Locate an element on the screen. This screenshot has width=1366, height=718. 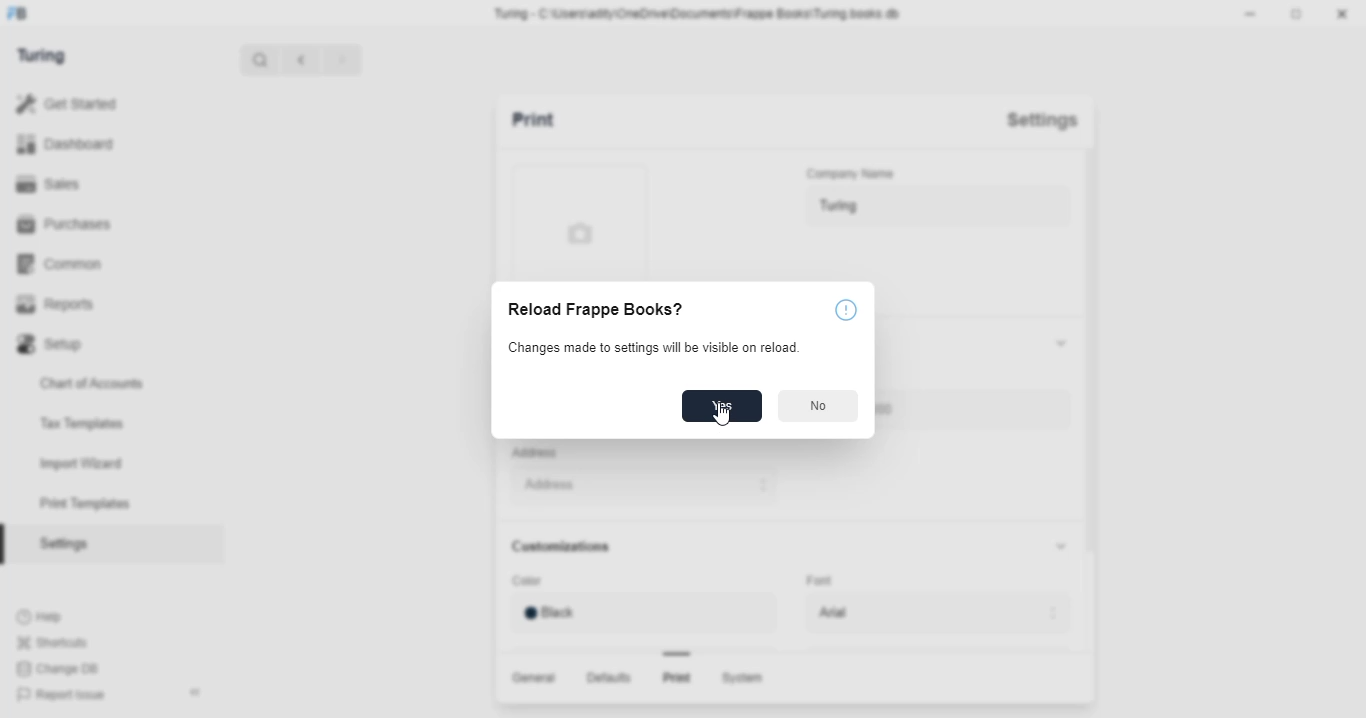
Shortcuts is located at coordinates (57, 642).